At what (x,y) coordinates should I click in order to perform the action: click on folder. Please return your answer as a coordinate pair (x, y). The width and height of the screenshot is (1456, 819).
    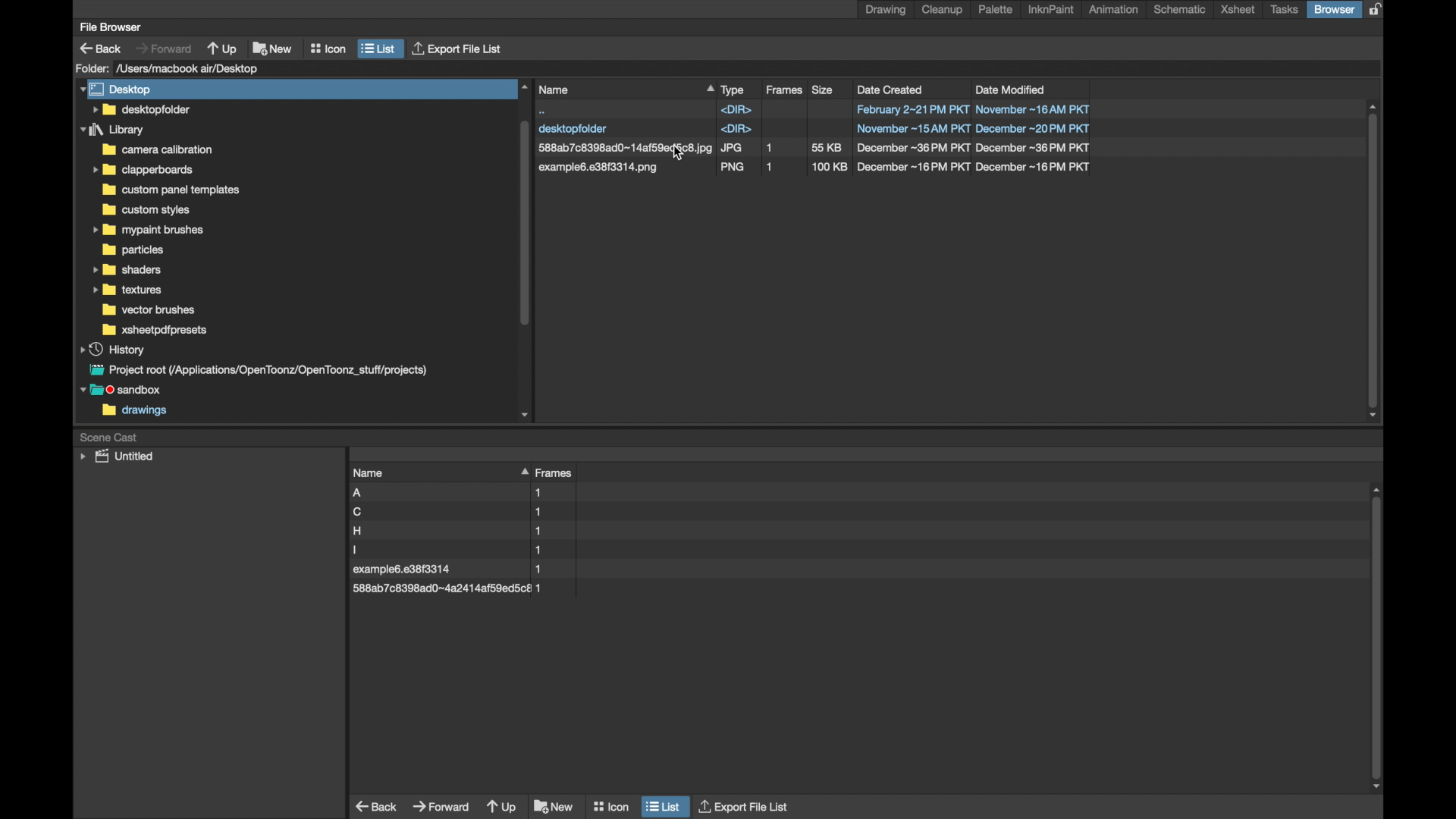
    Looking at the image, I should click on (156, 149).